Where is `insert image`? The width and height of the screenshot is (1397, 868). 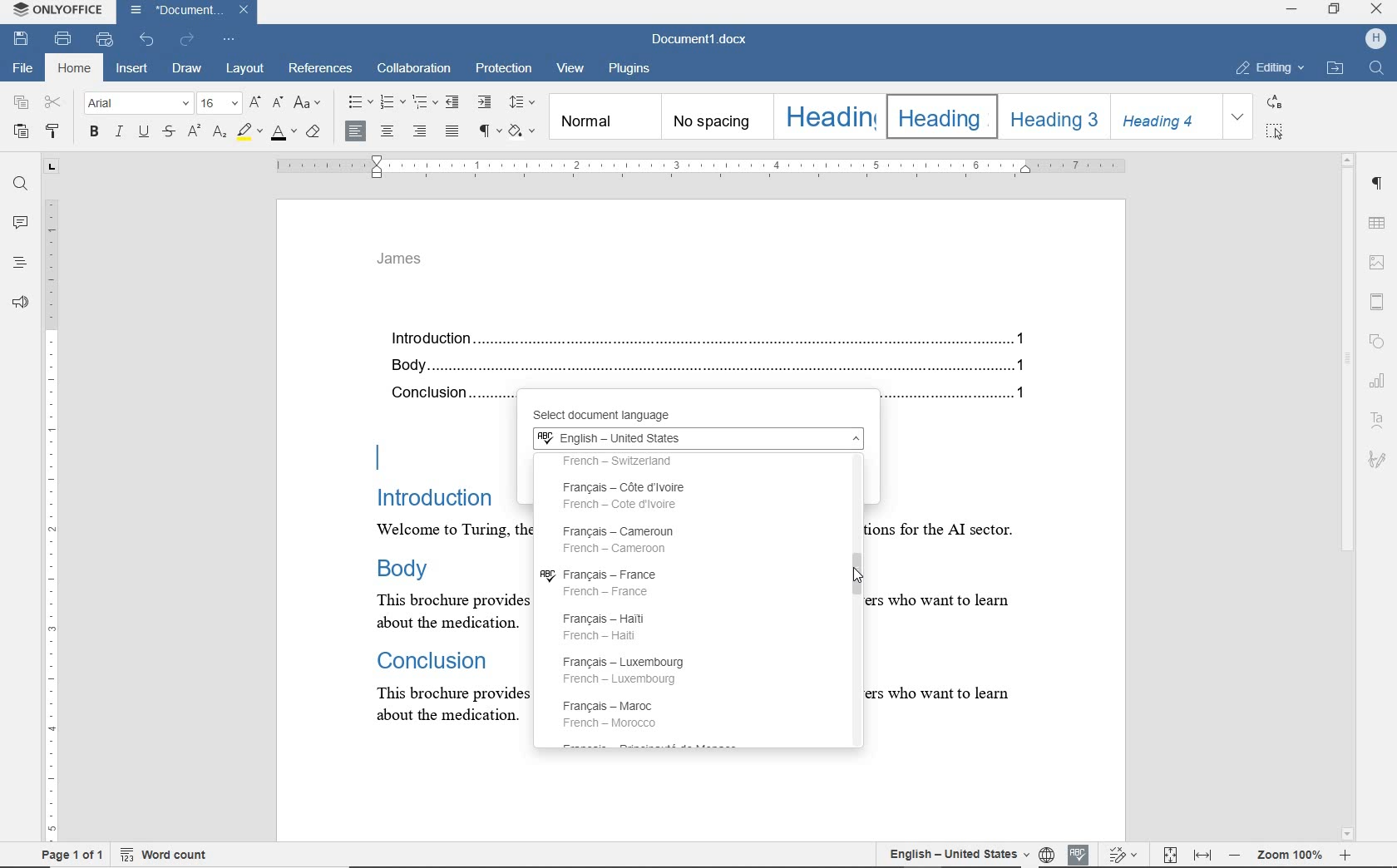
insert image is located at coordinates (1378, 263).